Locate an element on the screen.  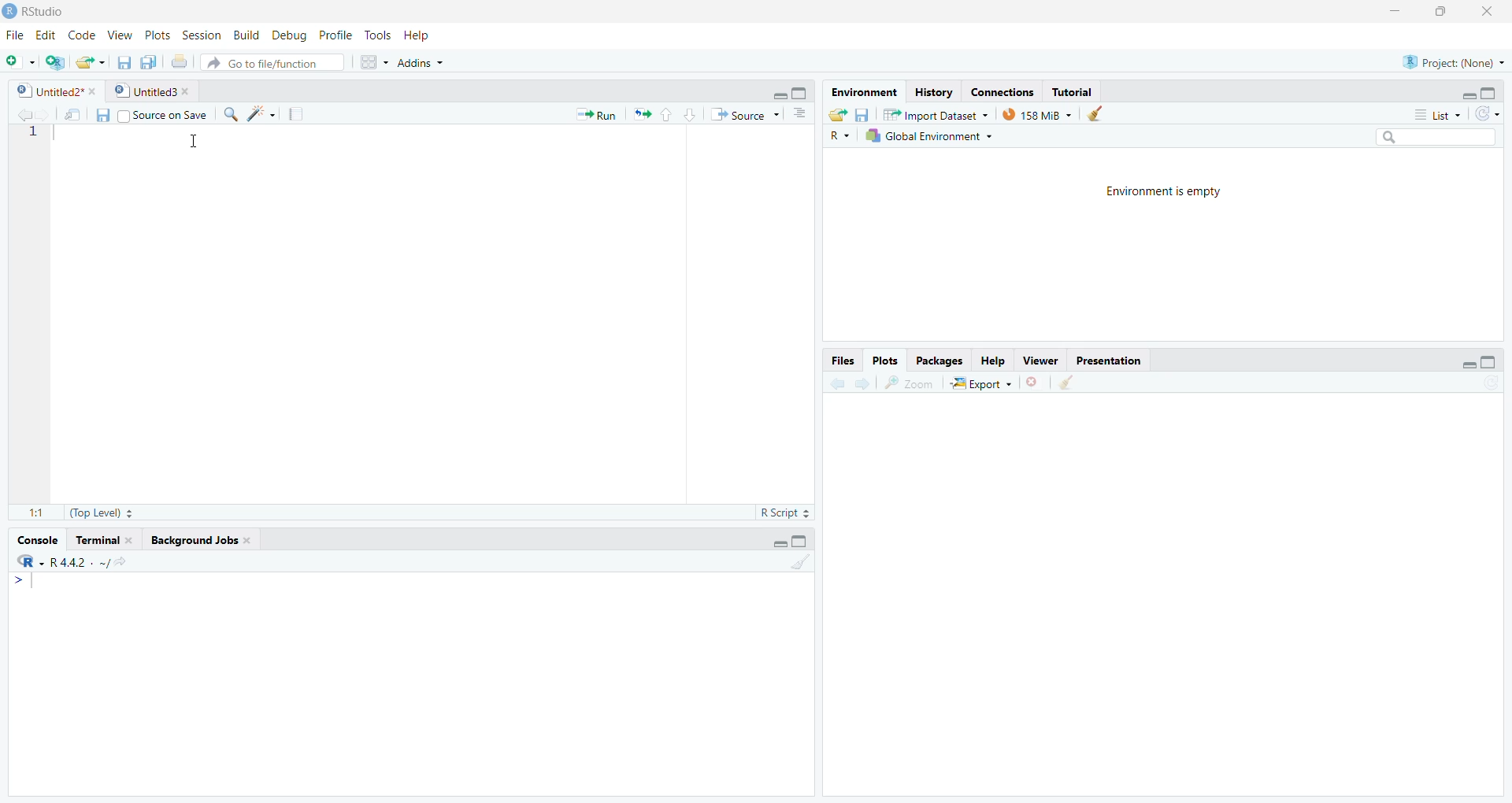
 is located at coordinates (1096, 113).